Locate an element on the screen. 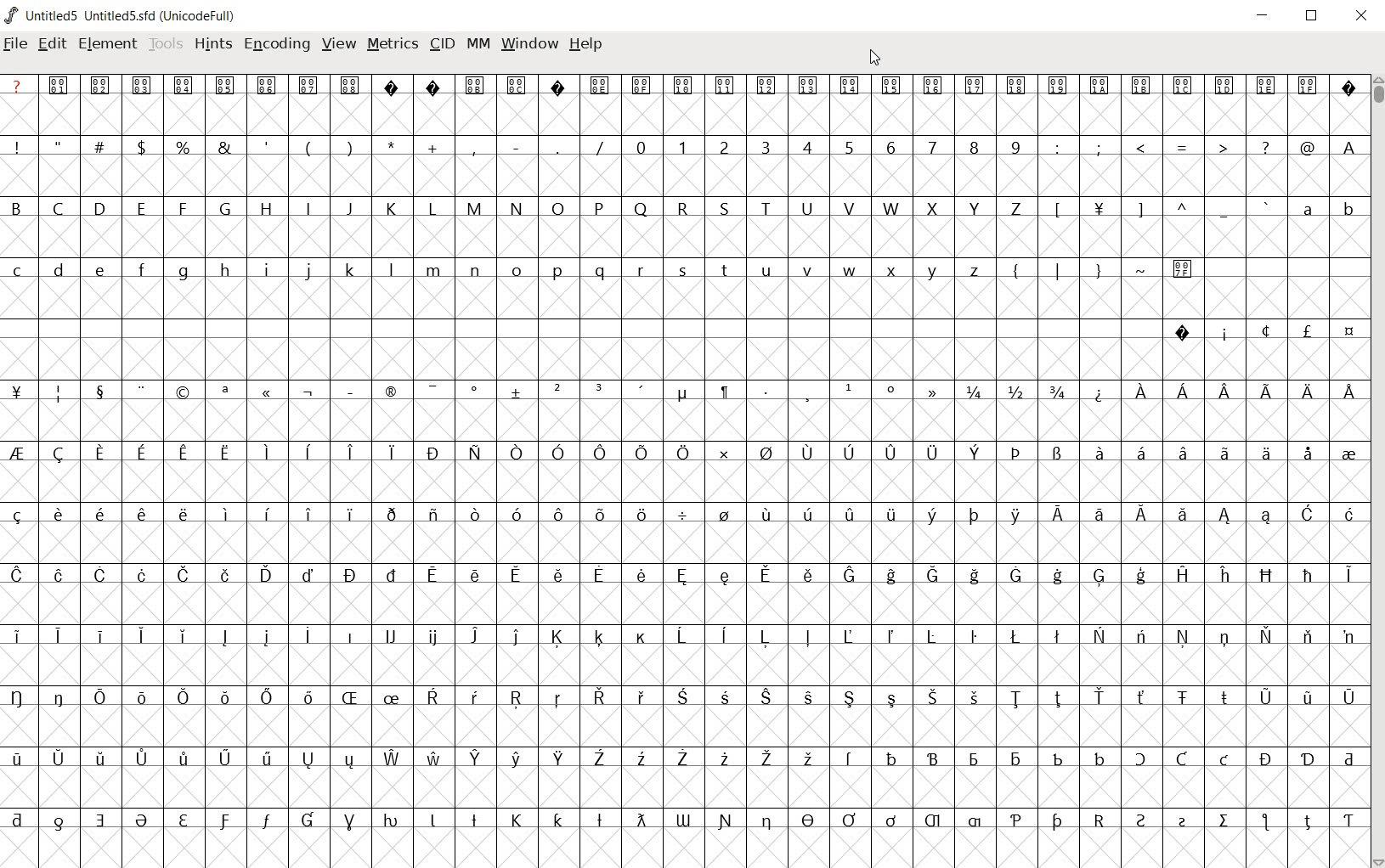  Symbol is located at coordinates (389, 700).